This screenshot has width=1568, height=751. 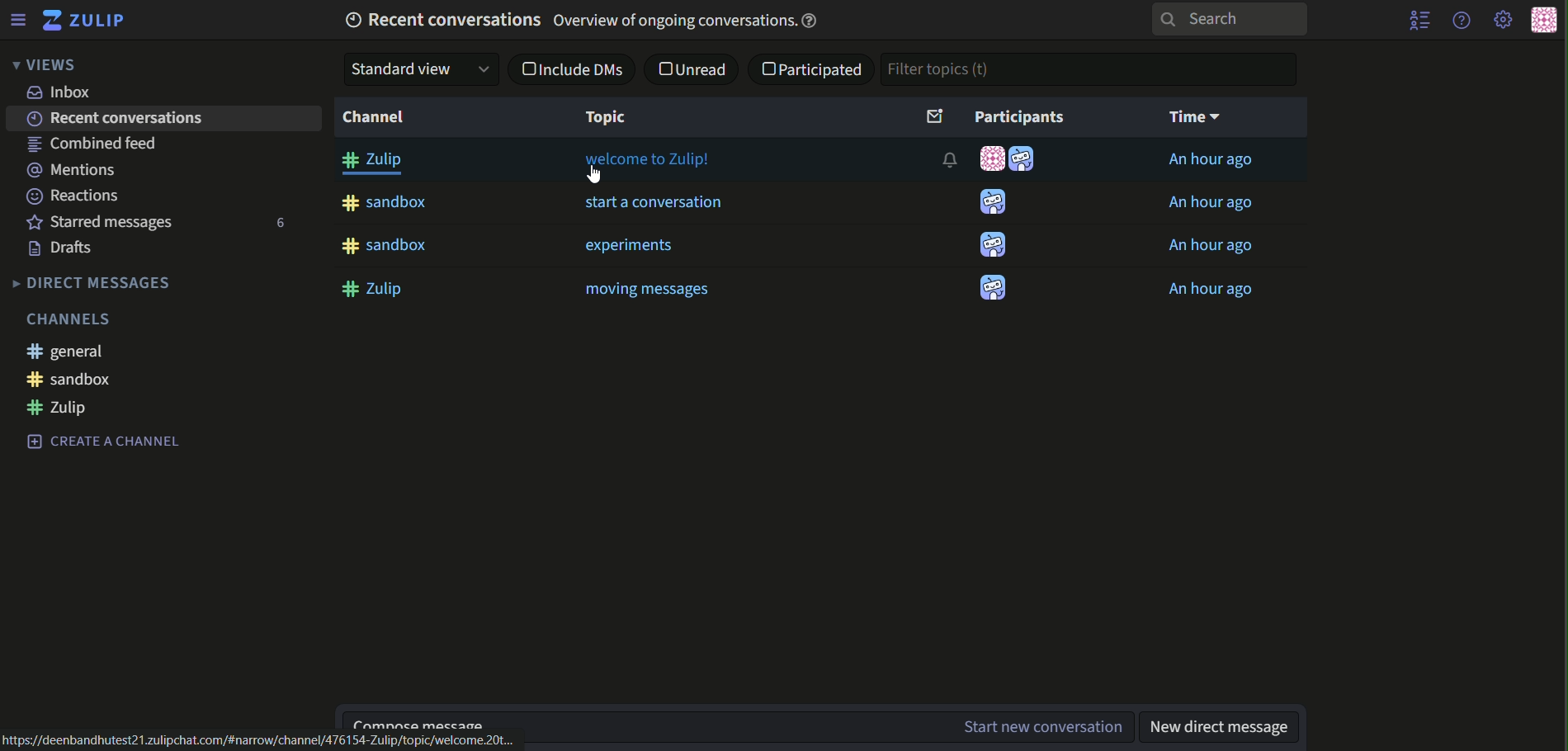 What do you see at coordinates (1209, 159) in the screenshot?
I see `text` at bounding box center [1209, 159].